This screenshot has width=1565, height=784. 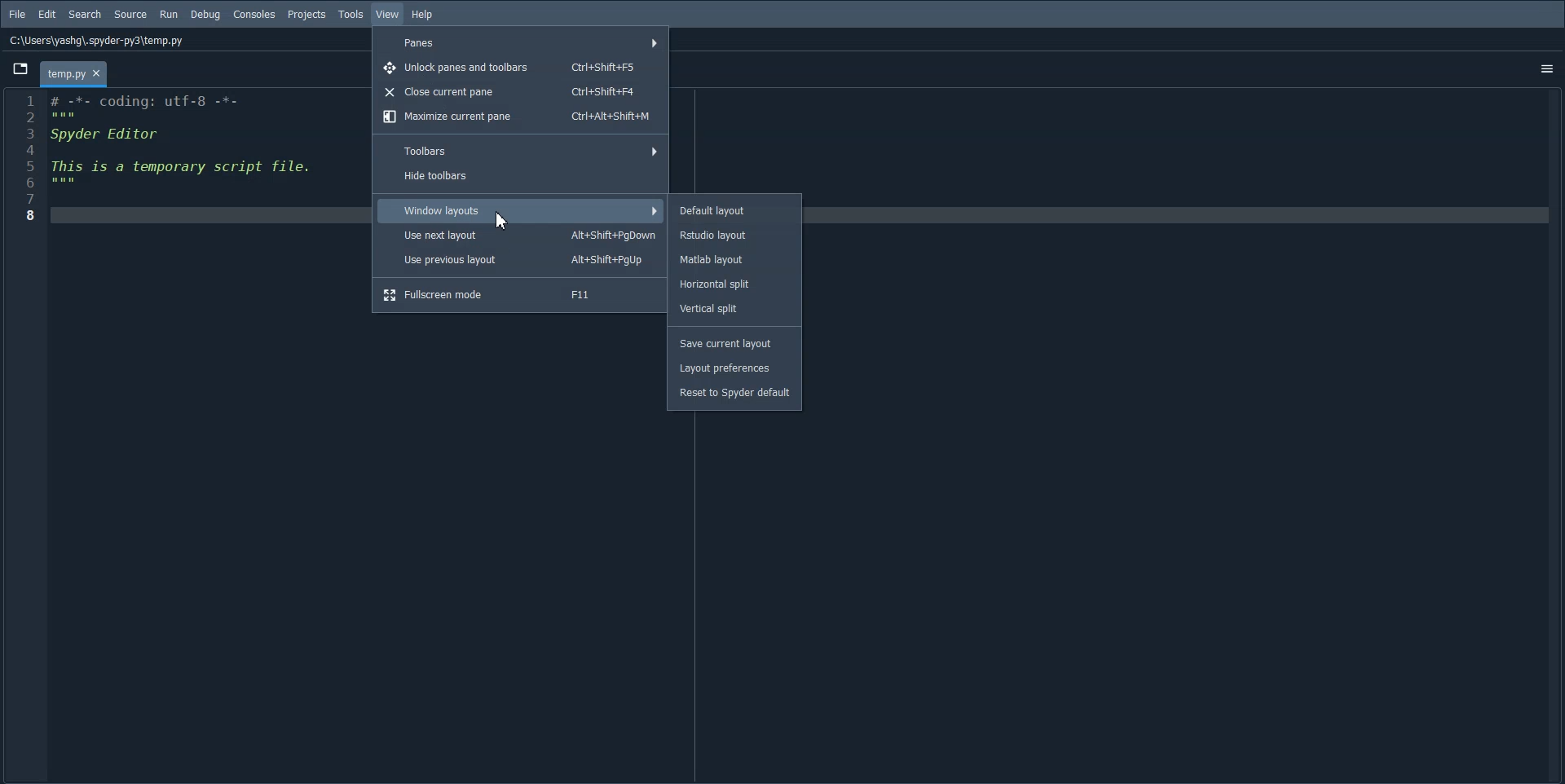 What do you see at coordinates (734, 209) in the screenshot?
I see `Default layout` at bounding box center [734, 209].